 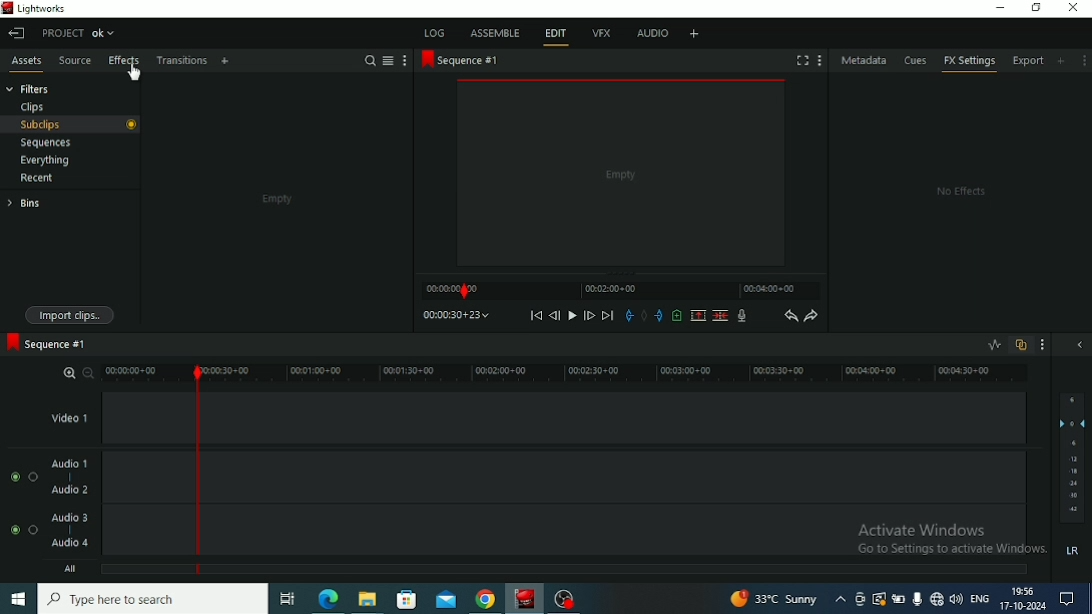 What do you see at coordinates (18, 600) in the screenshot?
I see `Windows` at bounding box center [18, 600].